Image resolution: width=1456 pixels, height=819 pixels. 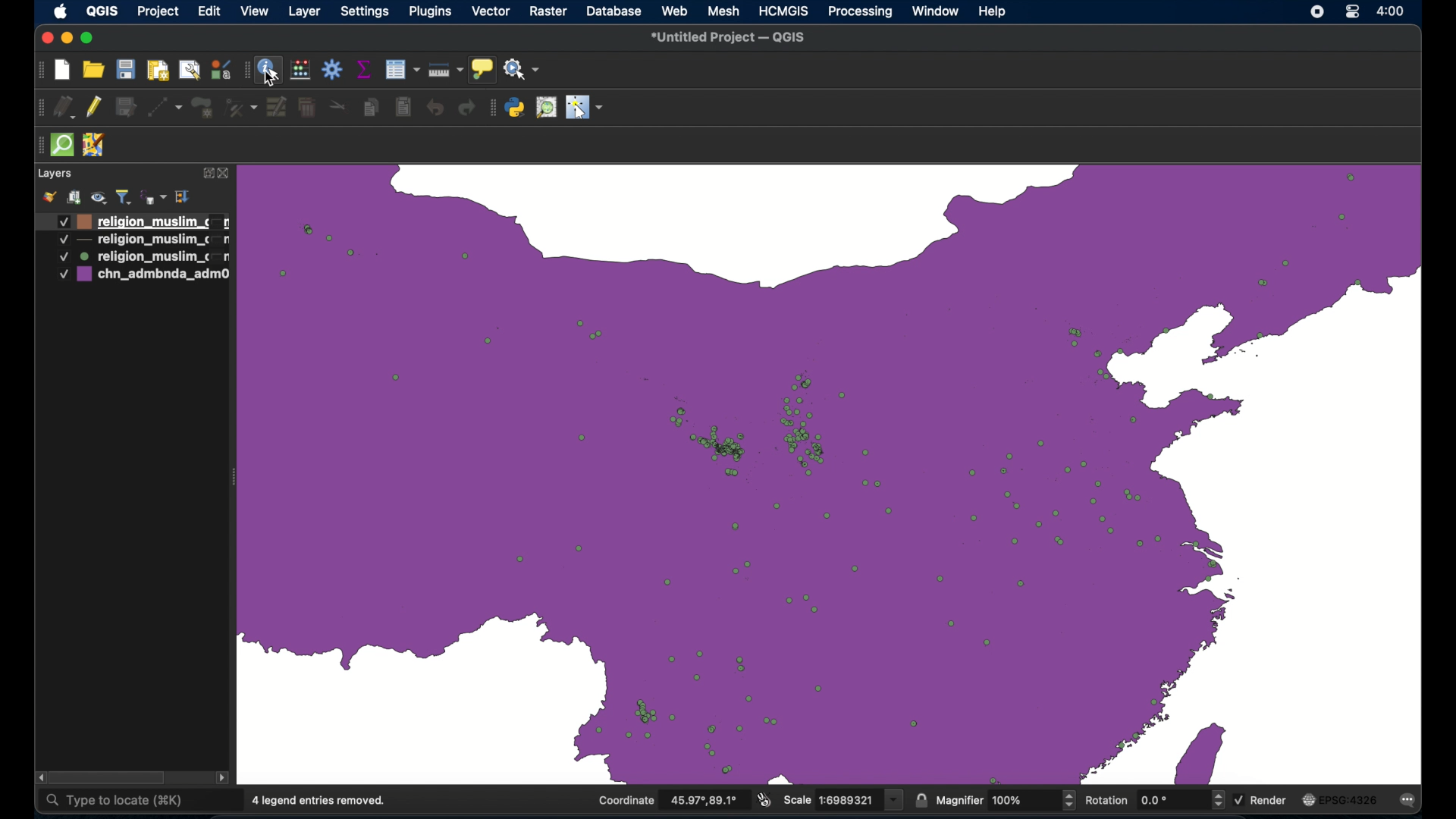 I want to click on project toolbar, so click(x=38, y=71).